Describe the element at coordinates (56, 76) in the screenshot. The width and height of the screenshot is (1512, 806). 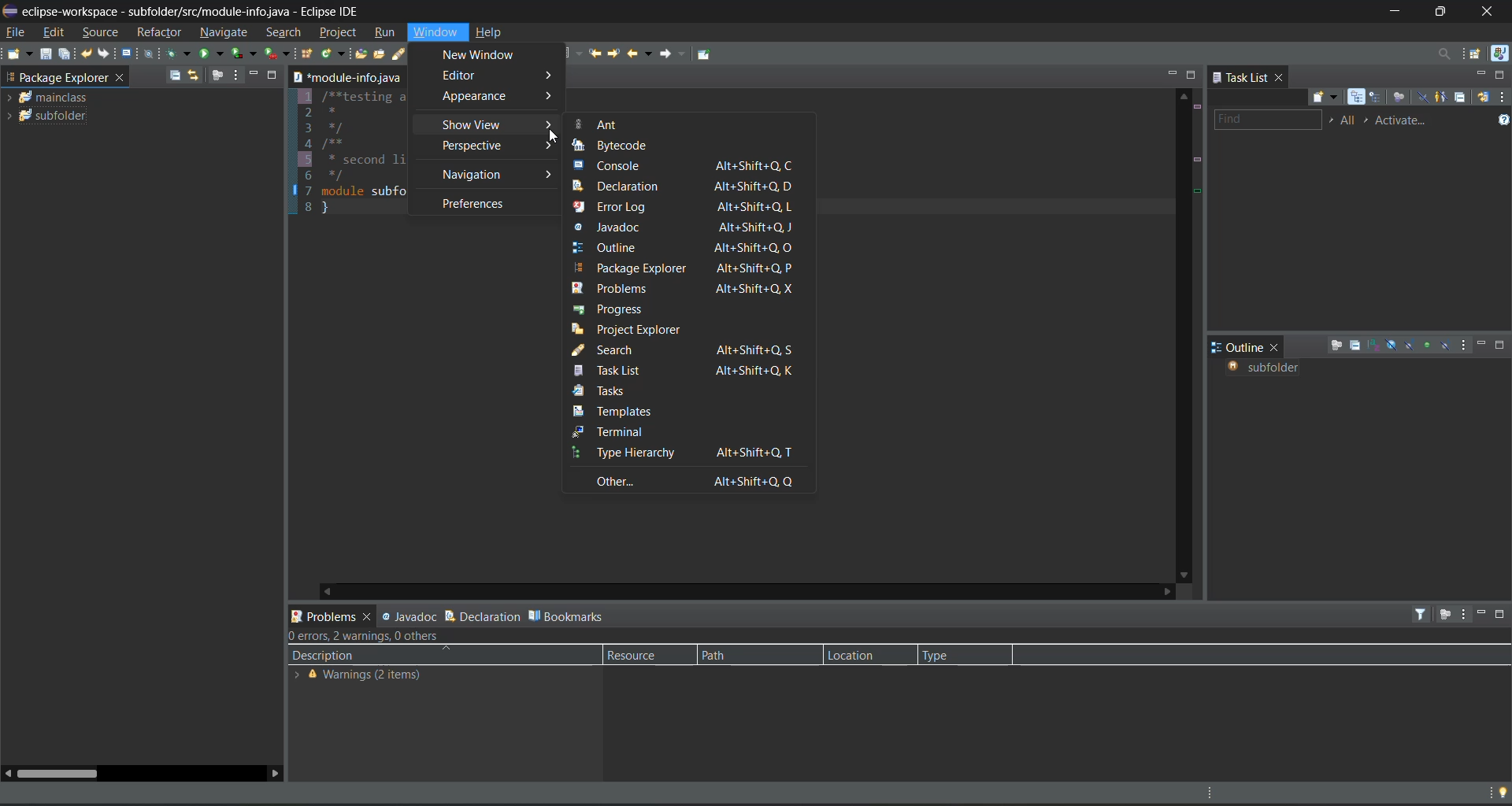
I see `package explorer` at that location.